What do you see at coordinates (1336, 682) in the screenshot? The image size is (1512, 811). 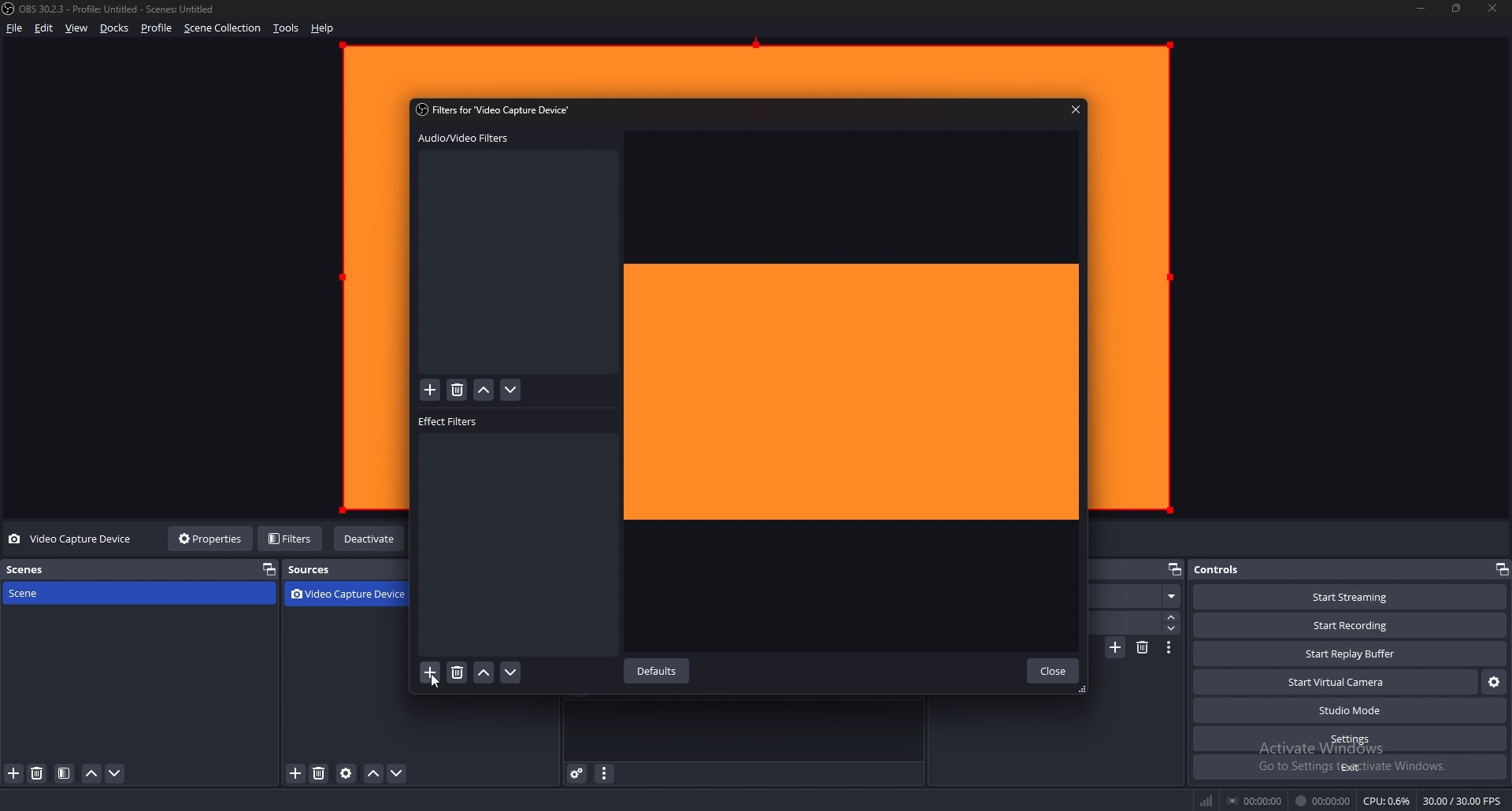 I see `start virtual camera` at bounding box center [1336, 682].